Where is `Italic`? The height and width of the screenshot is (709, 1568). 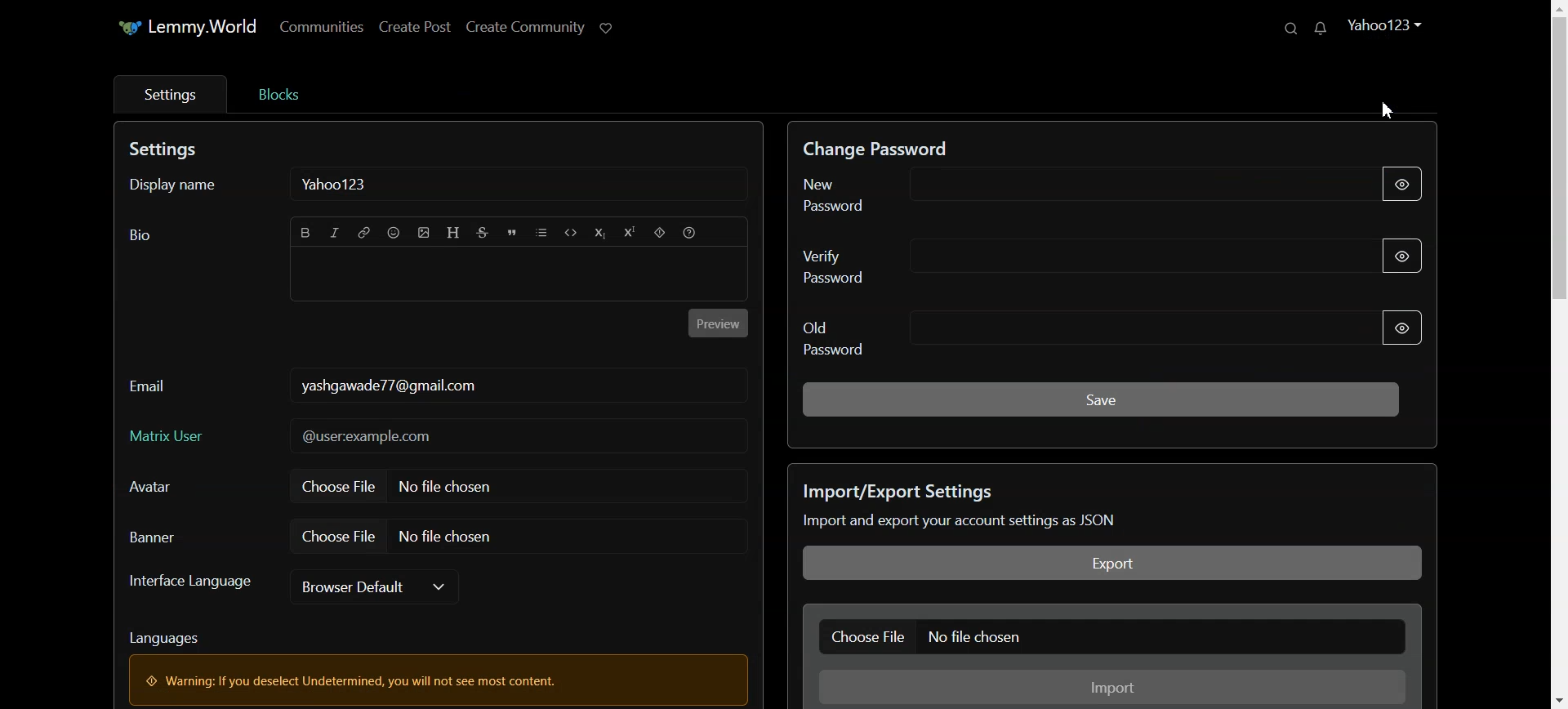 Italic is located at coordinates (336, 233).